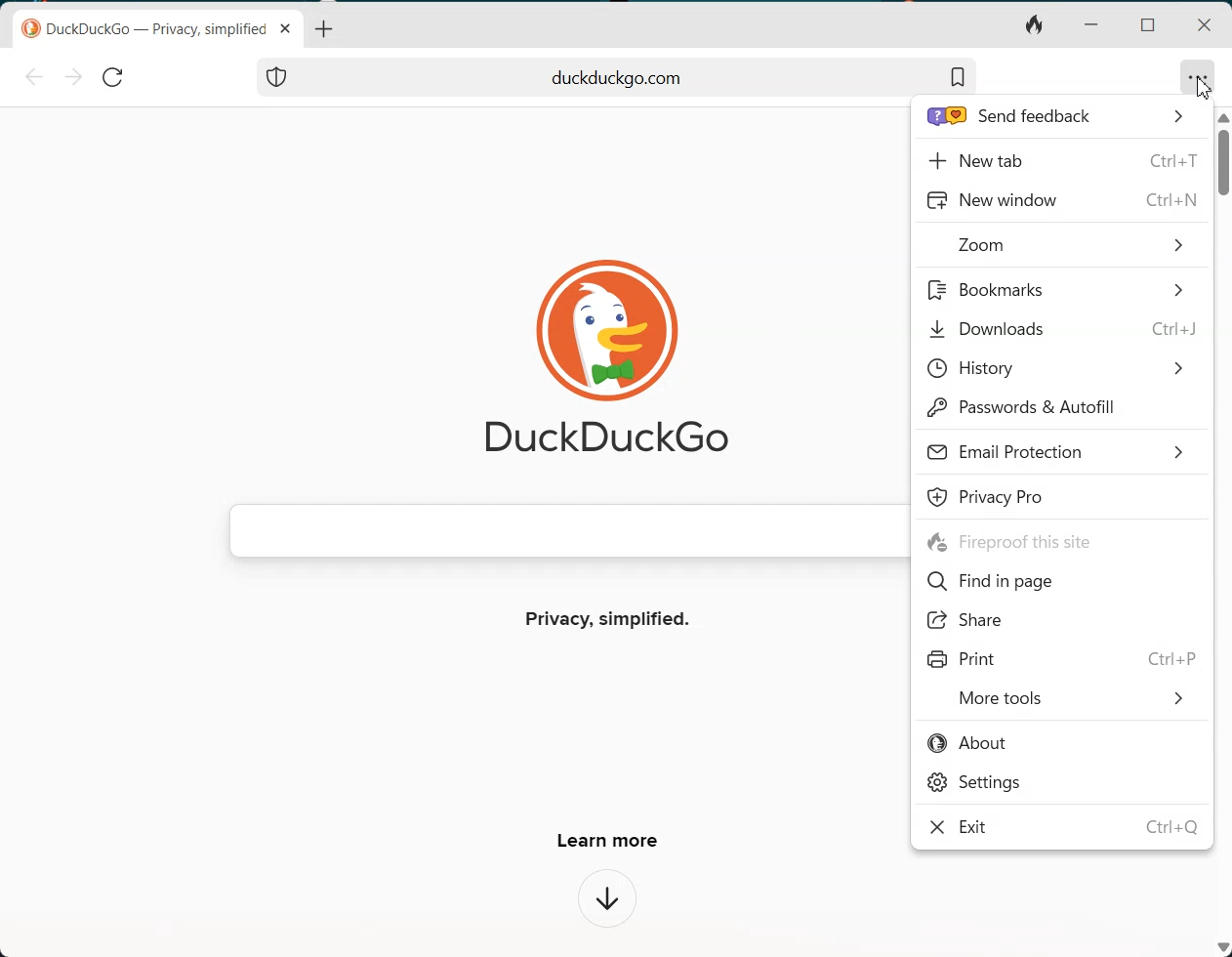  Describe the element at coordinates (1063, 330) in the screenshot. I see `Downloads` at that location.